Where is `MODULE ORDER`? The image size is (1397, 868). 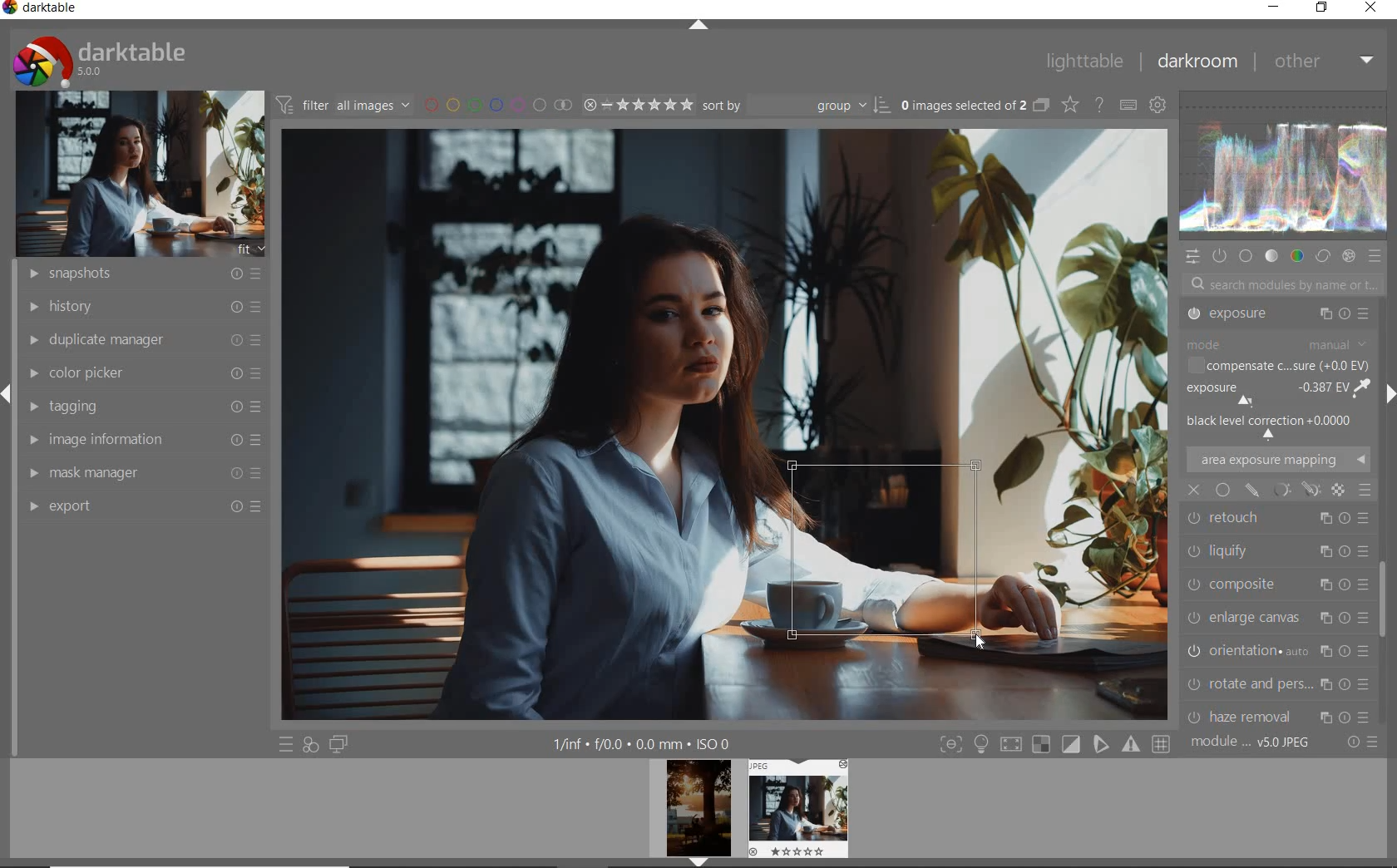 MODULE ORDER is located at coordinates (1251, 743).